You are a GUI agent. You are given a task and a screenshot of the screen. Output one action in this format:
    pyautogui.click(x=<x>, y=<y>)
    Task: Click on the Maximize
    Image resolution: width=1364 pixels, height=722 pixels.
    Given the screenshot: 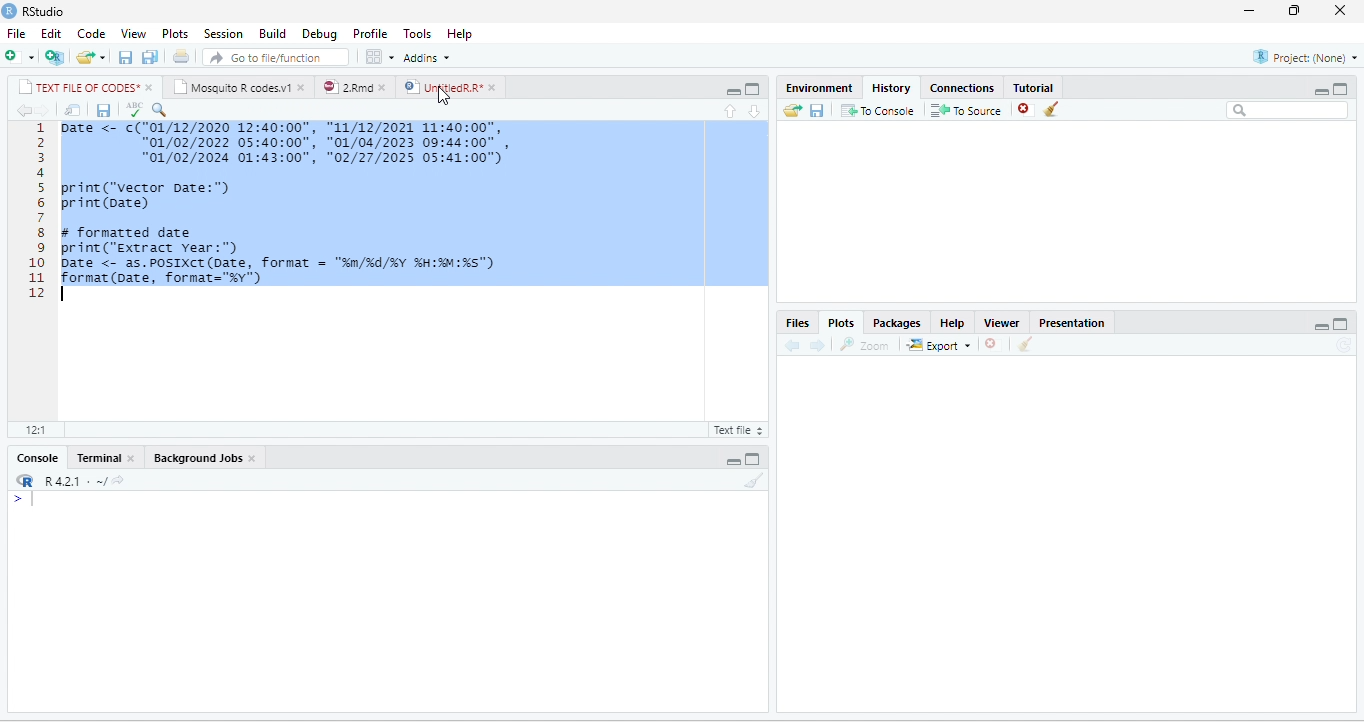 What is the action you would take?
    pyautogui.click(x=1340, y=89)
    